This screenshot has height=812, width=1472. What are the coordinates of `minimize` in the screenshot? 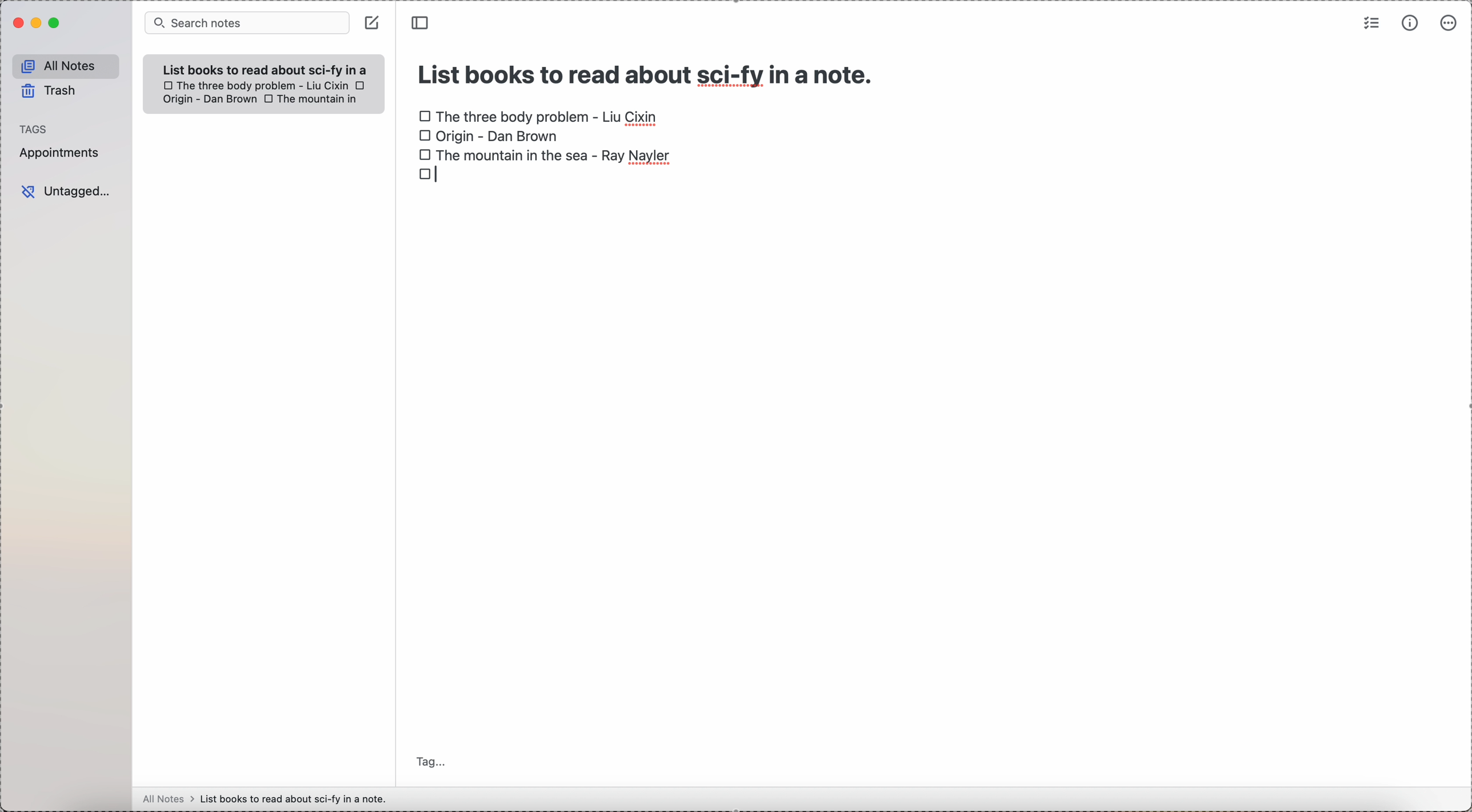 It's located at (34, 23).